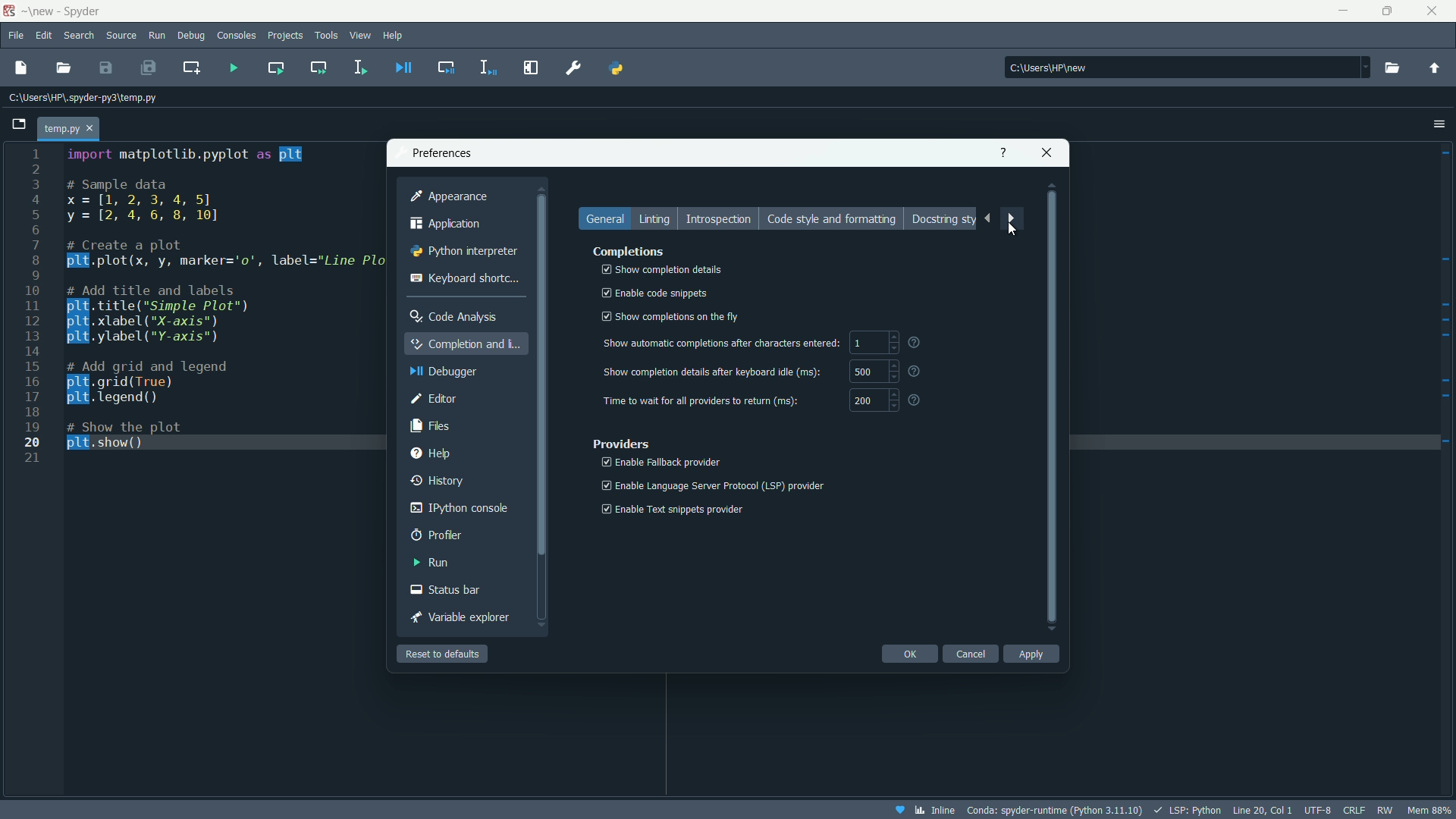 The image size is (1456, 819). I want to click on file encoding, so click(1317, 810).